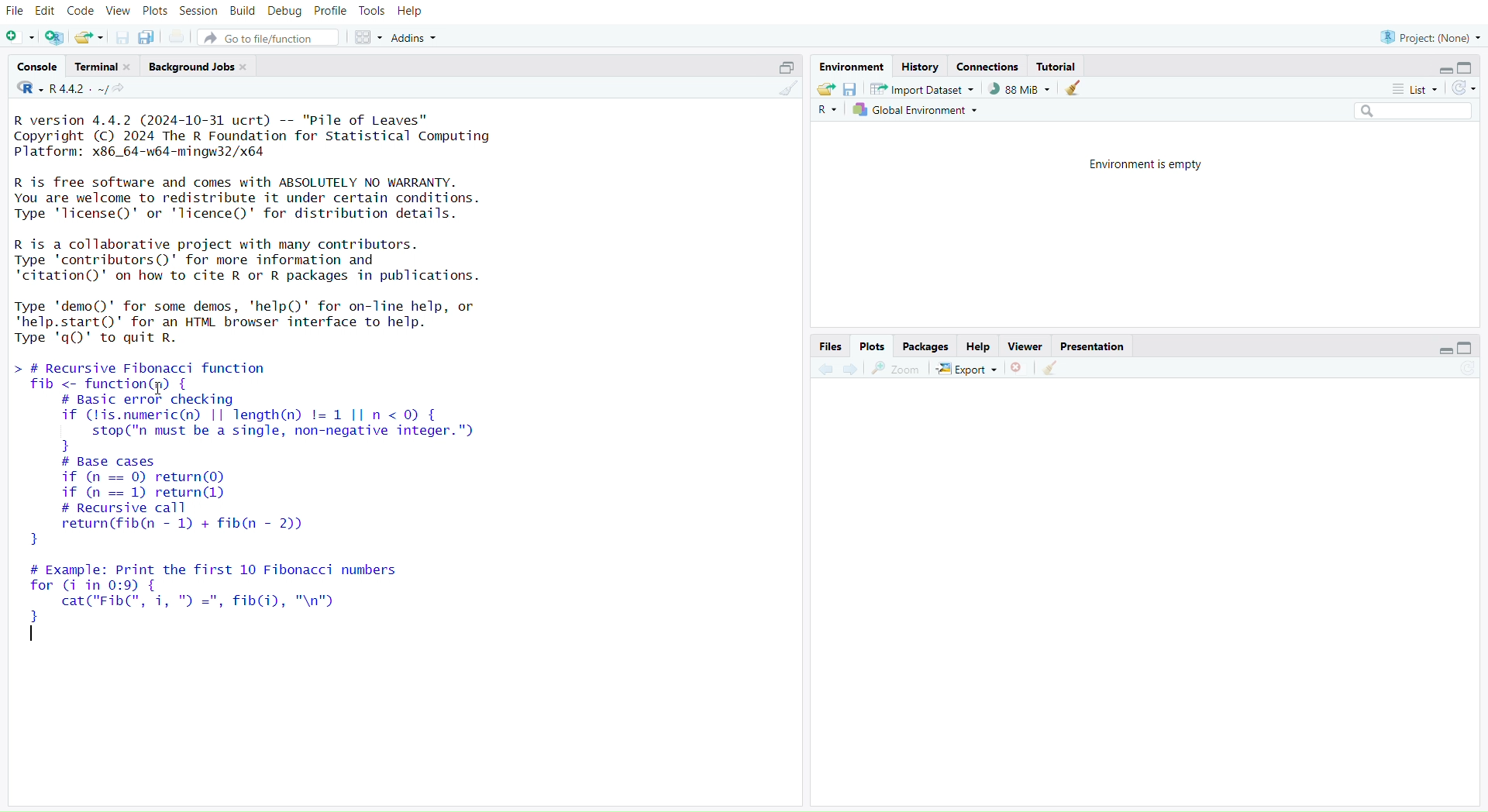  Describe the element at coordinates (1440, 351) in the screenshot. I see `expand` at that location.